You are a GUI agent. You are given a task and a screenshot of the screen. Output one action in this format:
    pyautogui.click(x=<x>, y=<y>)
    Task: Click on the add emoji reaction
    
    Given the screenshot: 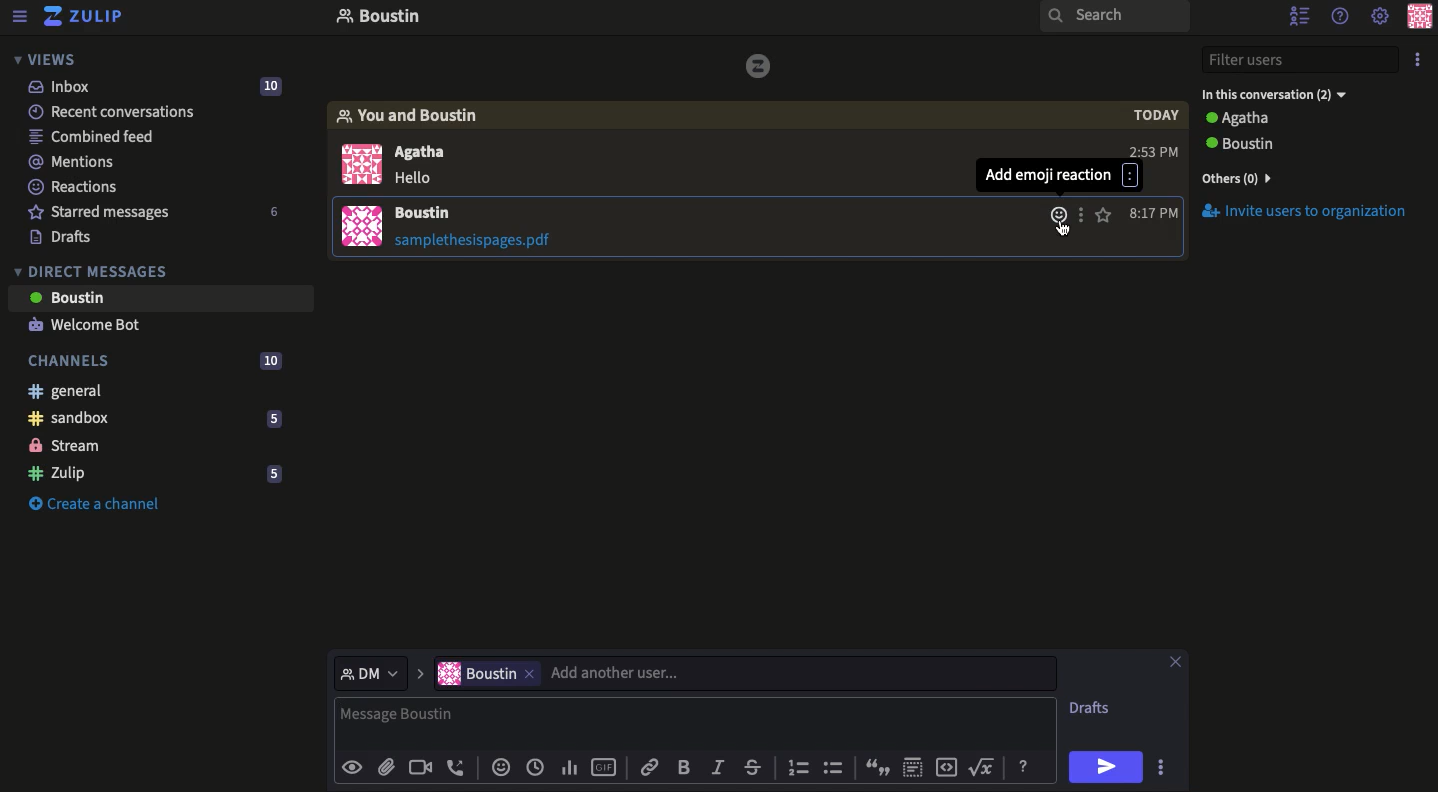 What is the action you would take?
    pyautogui.click(x=1057, y=177)
    